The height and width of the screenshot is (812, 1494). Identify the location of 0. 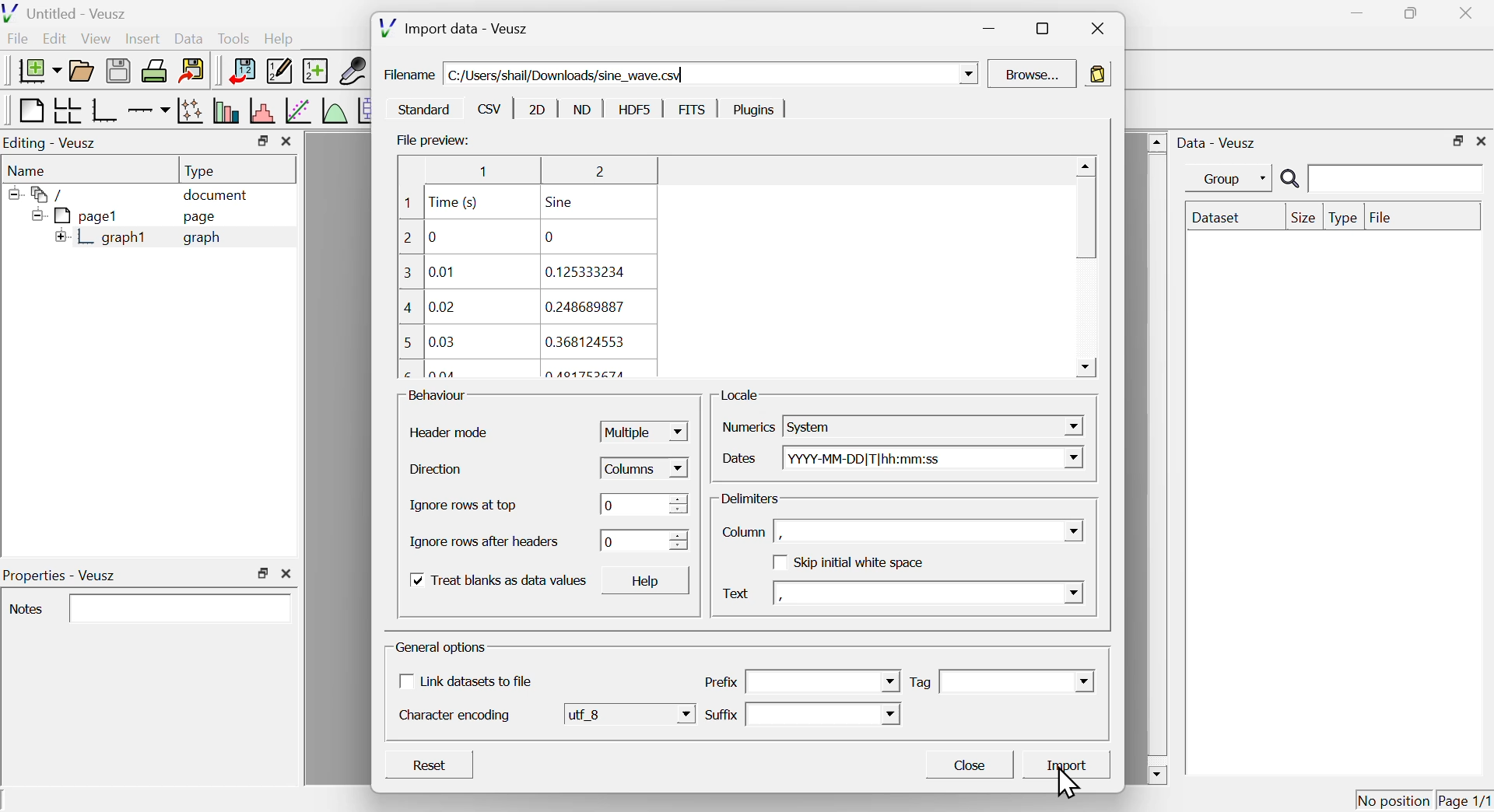
(433, 236).